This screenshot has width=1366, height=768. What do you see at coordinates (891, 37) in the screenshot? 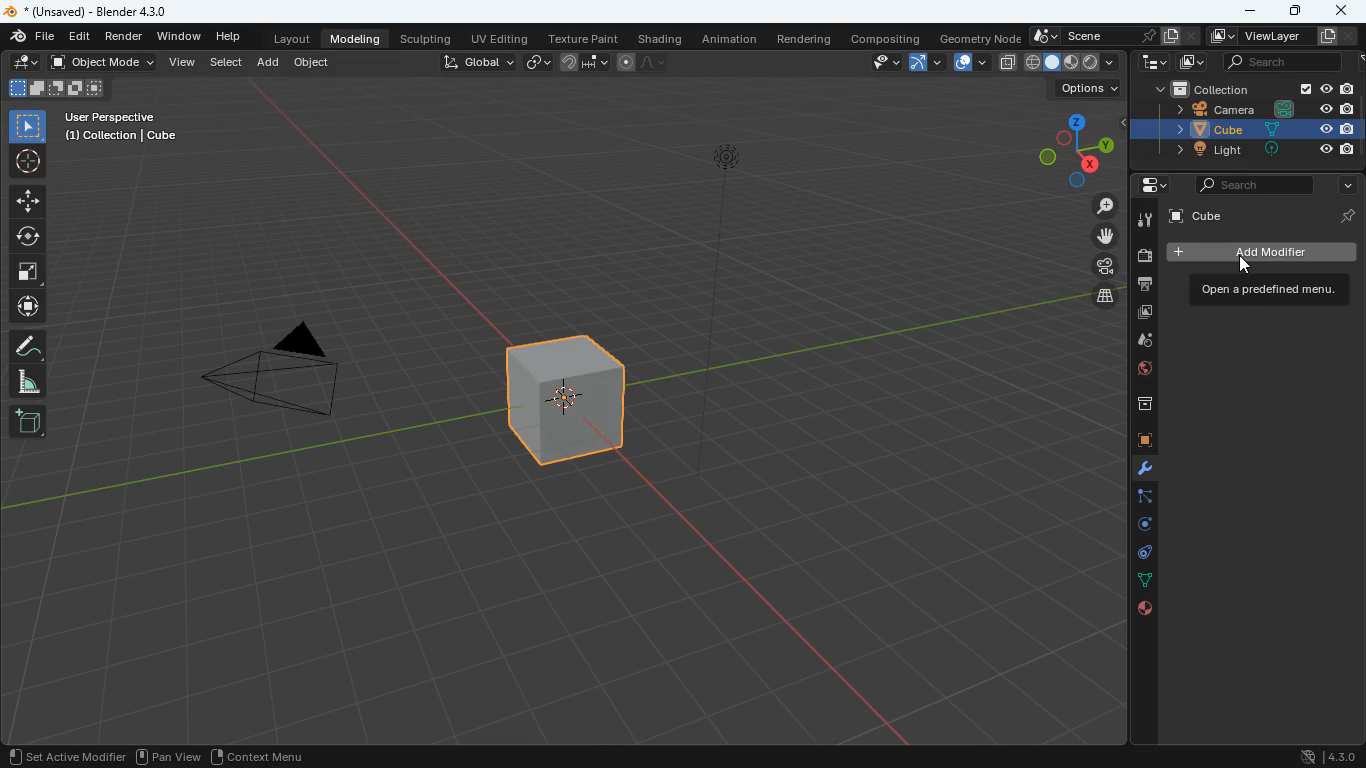
I see `compositing` at bounding box center [891, 37].